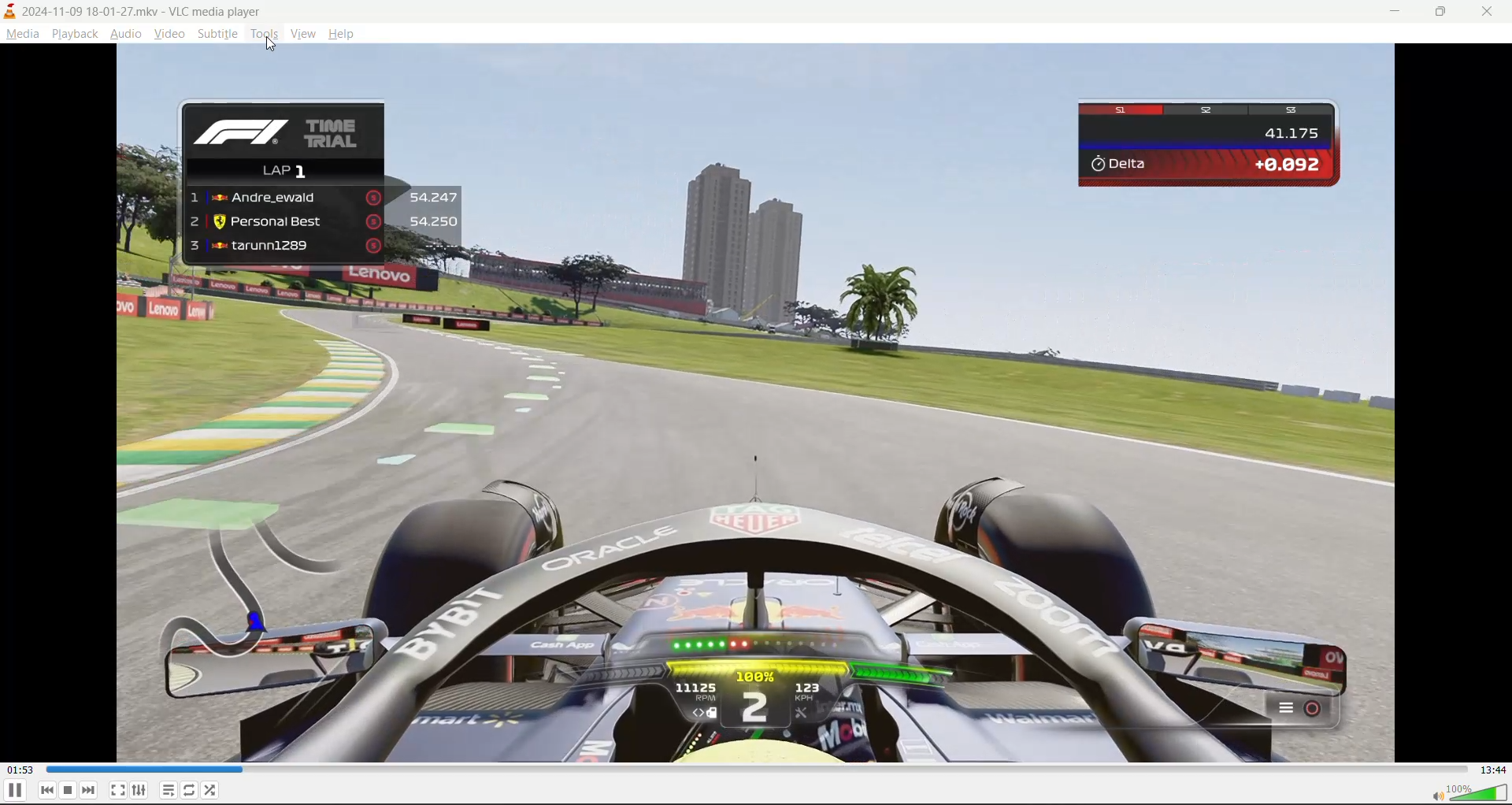  What do you see at coordinates (118, 790) in the screenshot?
I see `fullscreen` at bounding box center [118, 790].